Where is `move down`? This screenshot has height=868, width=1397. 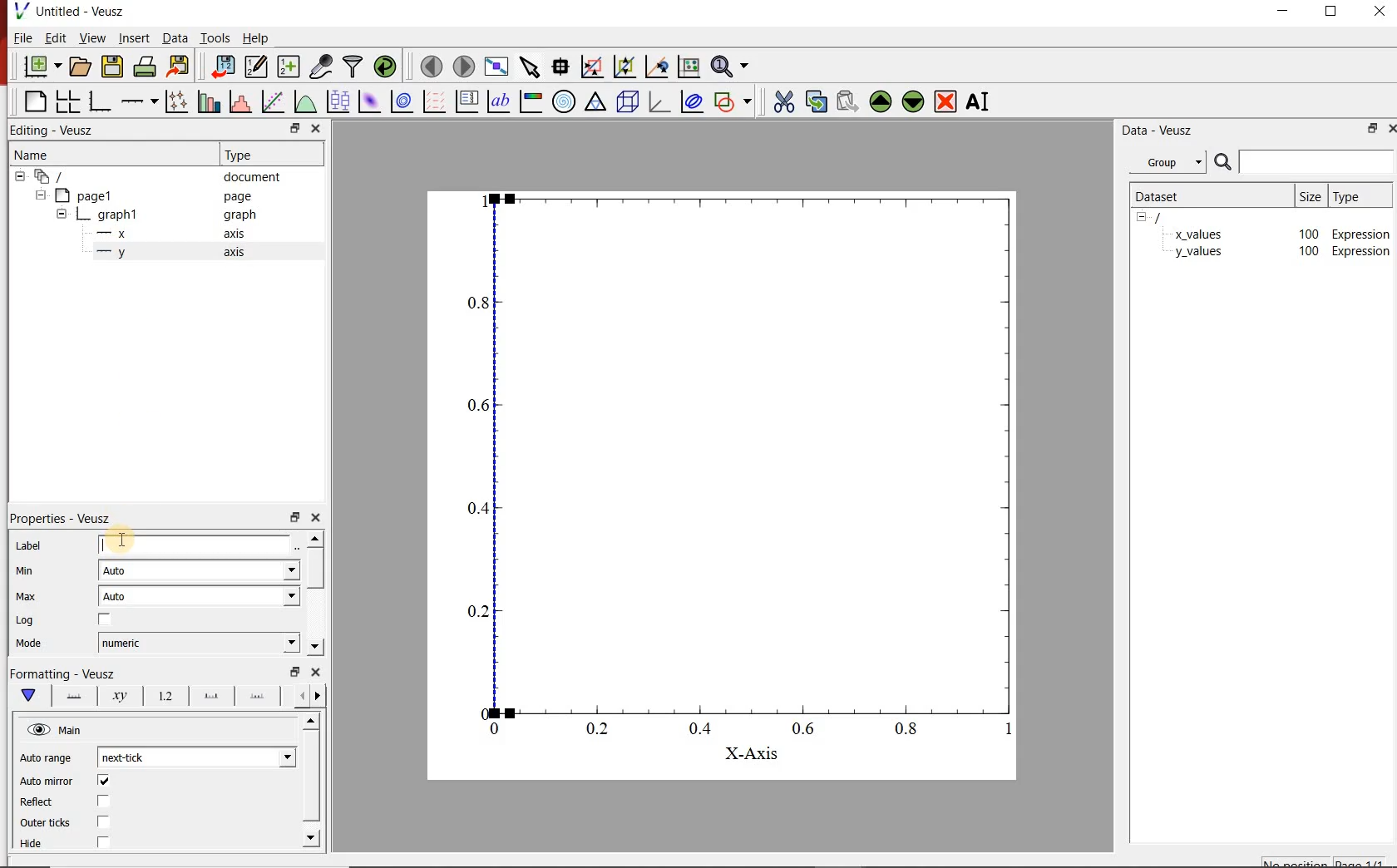 move down is located at coordinates (314, 646).